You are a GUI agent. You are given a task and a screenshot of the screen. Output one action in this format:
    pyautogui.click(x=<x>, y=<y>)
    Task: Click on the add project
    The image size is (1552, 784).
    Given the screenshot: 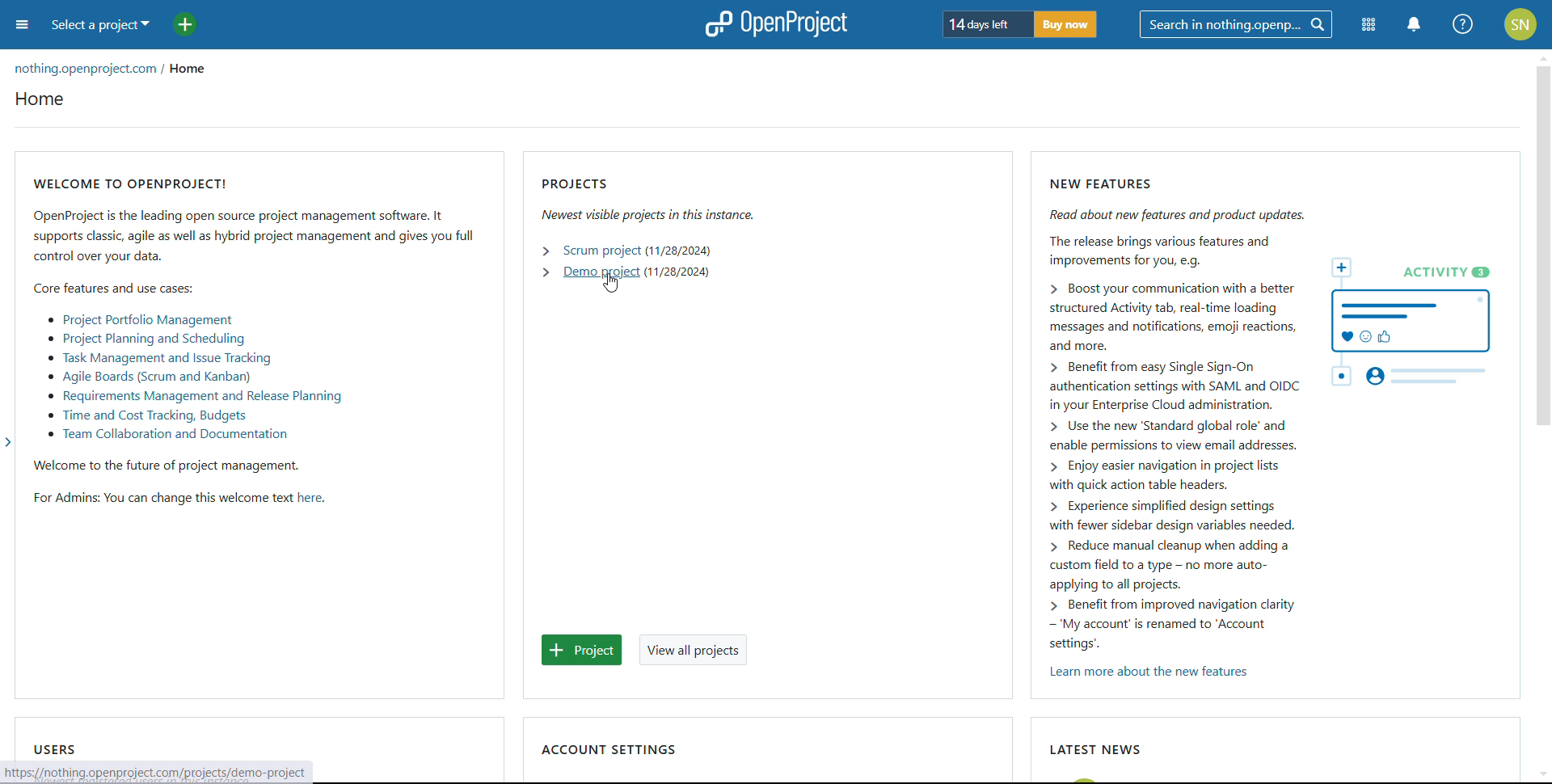 What is the action you would take?
    pyautogui.click(x=583, y=650)
    